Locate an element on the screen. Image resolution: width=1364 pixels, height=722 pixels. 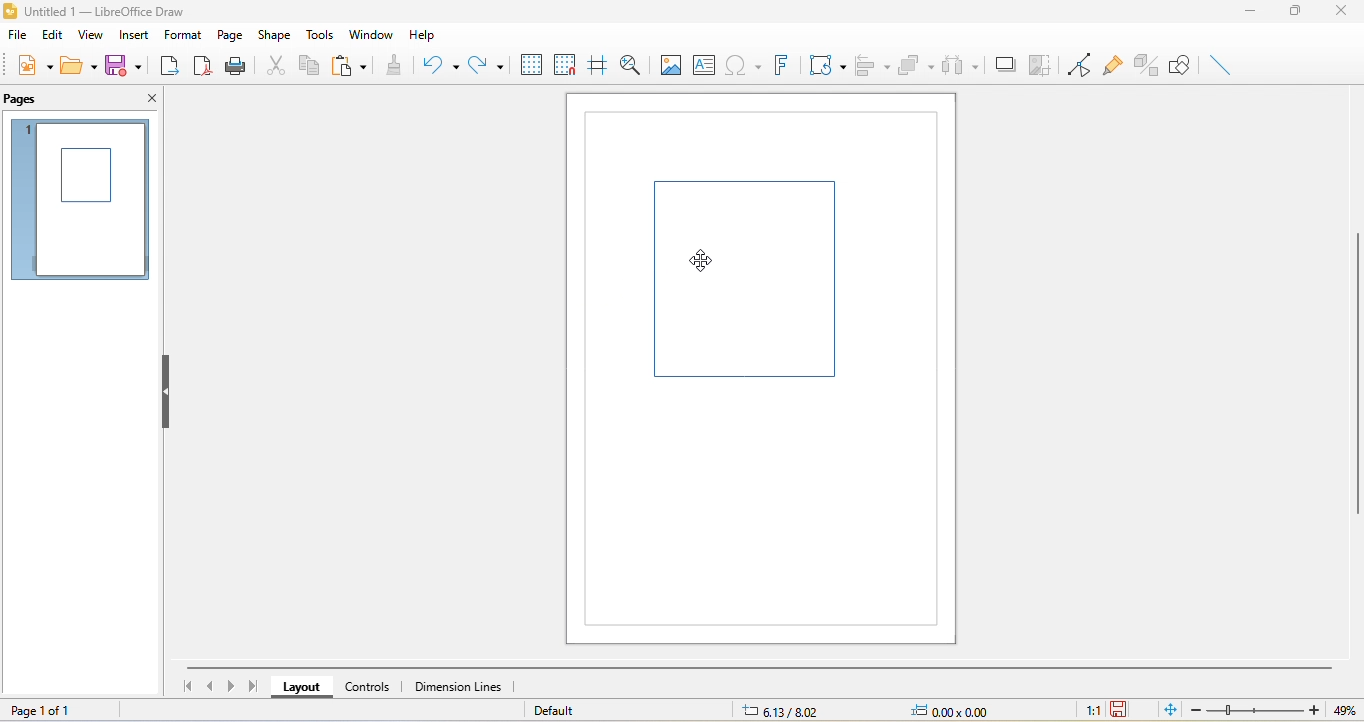
cursor is located at coordinates (699, 260).